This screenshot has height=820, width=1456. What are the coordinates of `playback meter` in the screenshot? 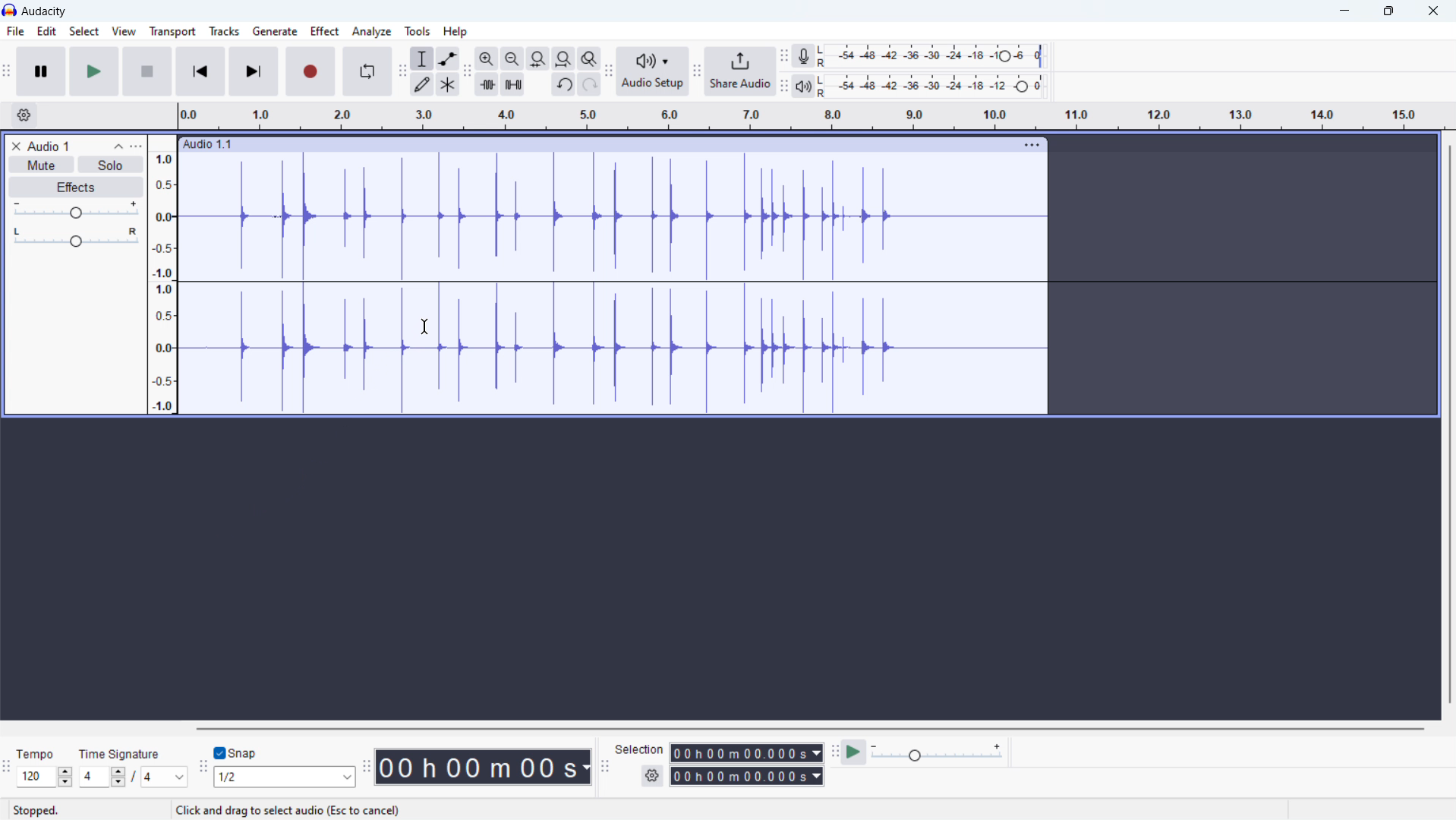 It's located at (807, 87).